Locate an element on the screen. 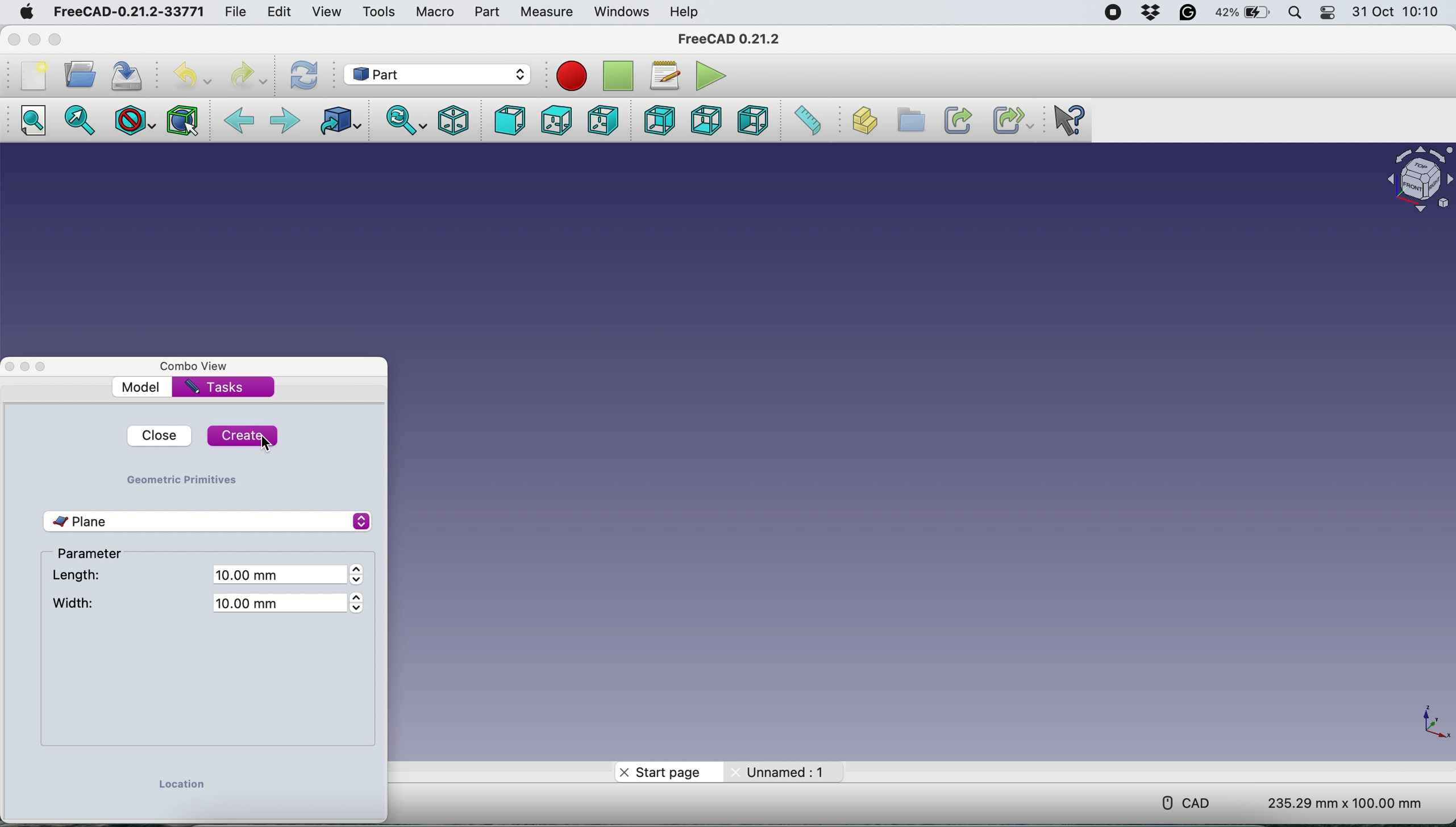 This screenshot has width=1456, height=827. Maximize is located at coordinates (54, 40).